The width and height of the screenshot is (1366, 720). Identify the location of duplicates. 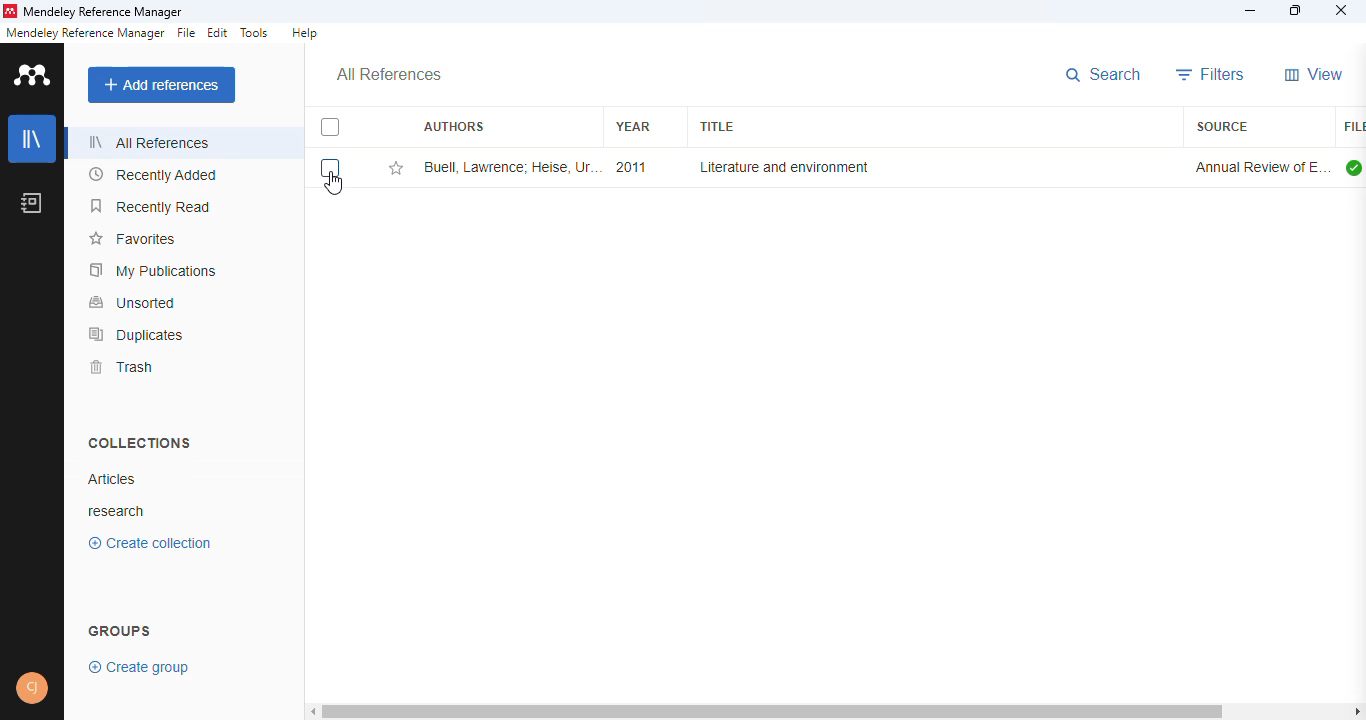
(137, 335).